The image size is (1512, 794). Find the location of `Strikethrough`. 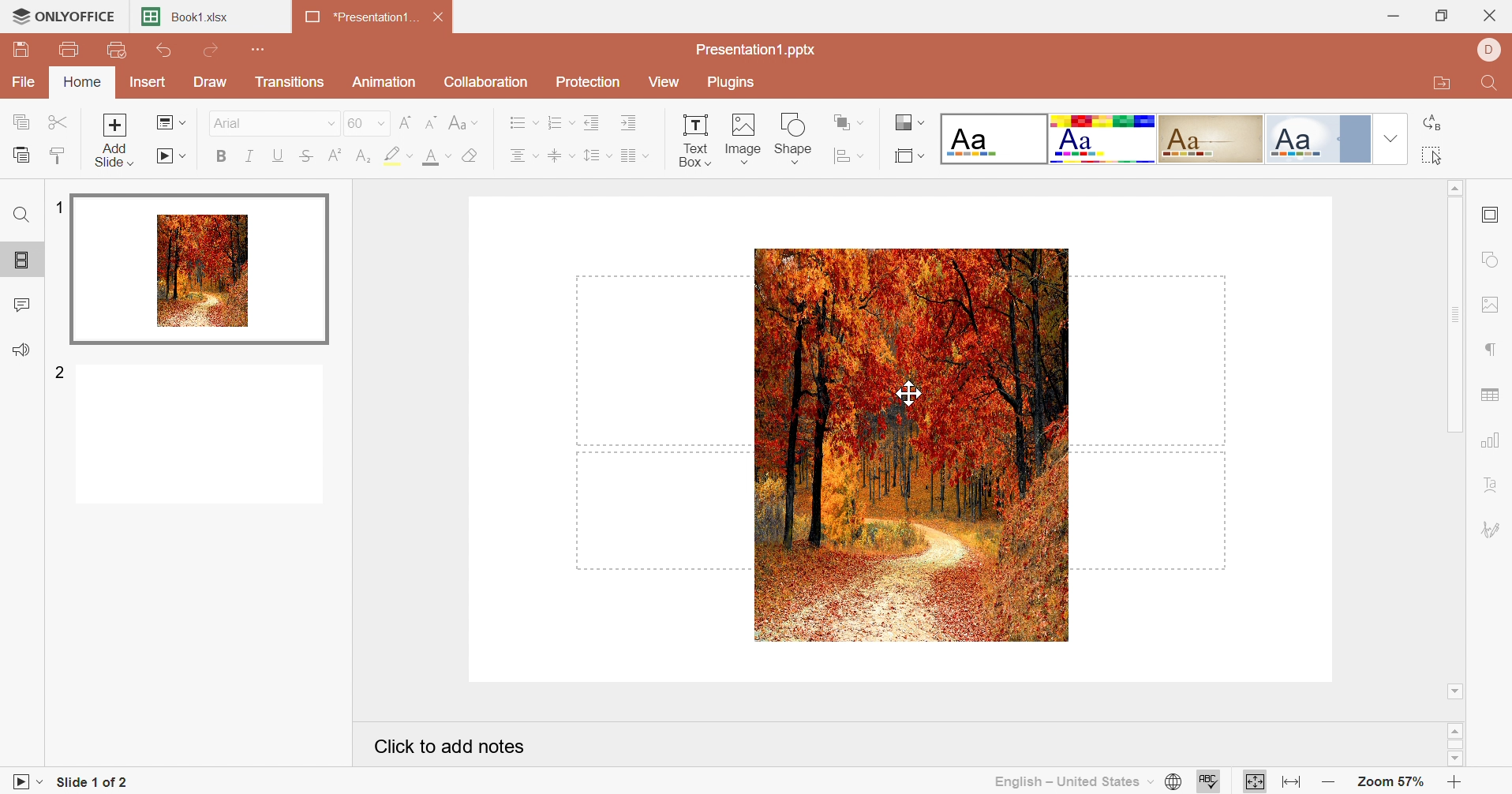

Strikethrough is located at coordinates (305, 158).